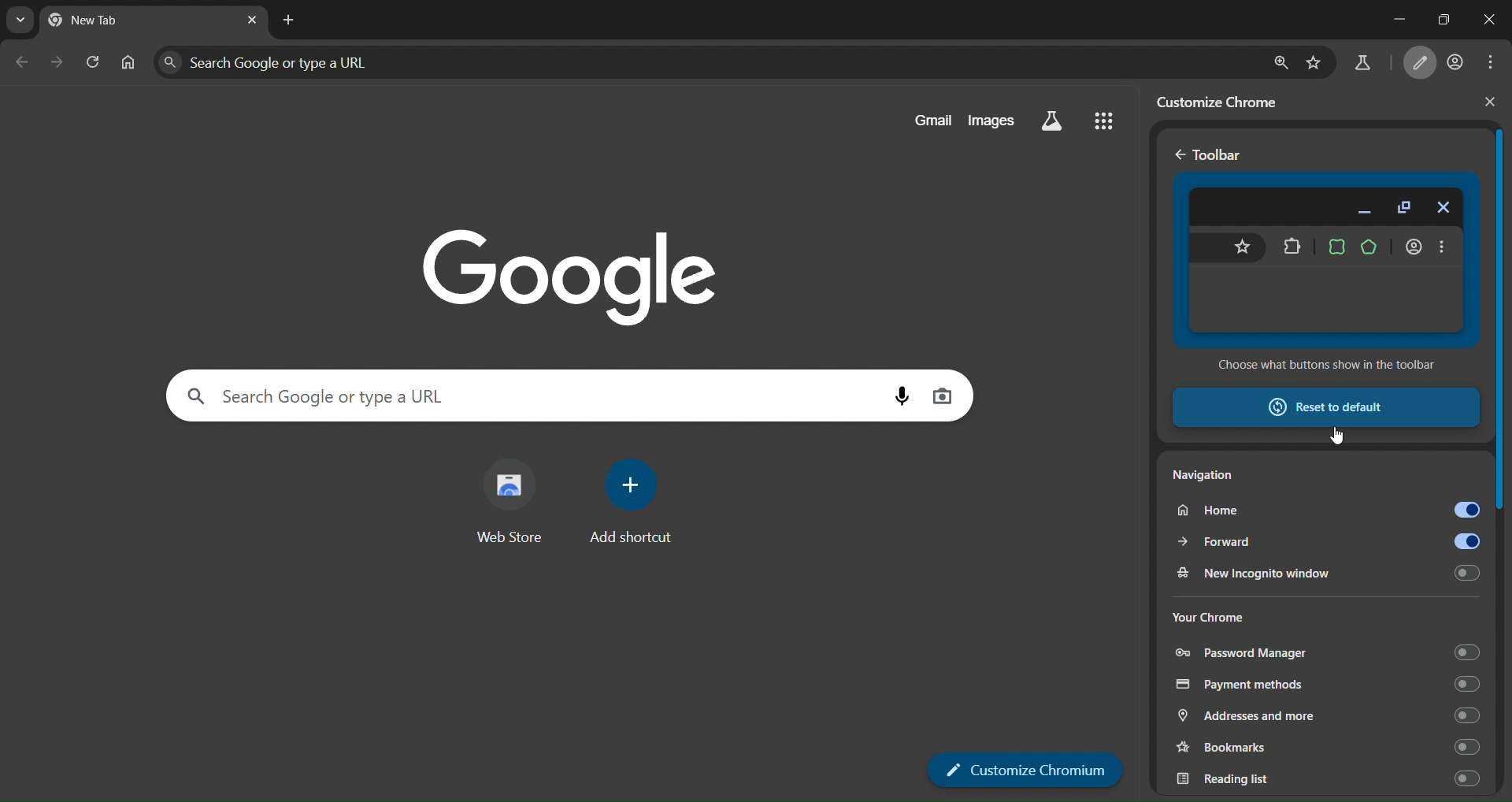  I want to click on close, so click(1484, 102).